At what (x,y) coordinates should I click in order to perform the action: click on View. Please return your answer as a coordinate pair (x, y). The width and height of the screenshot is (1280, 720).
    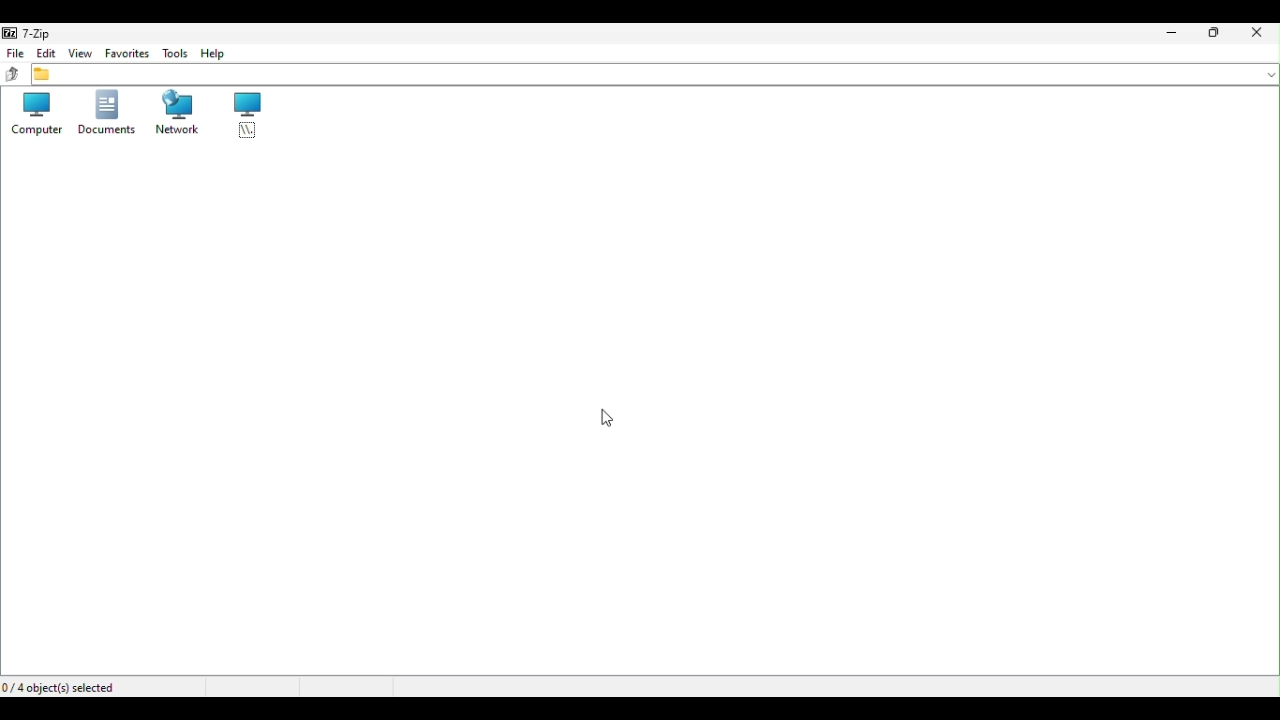
    Looking at the image, I should click on (82, 53).